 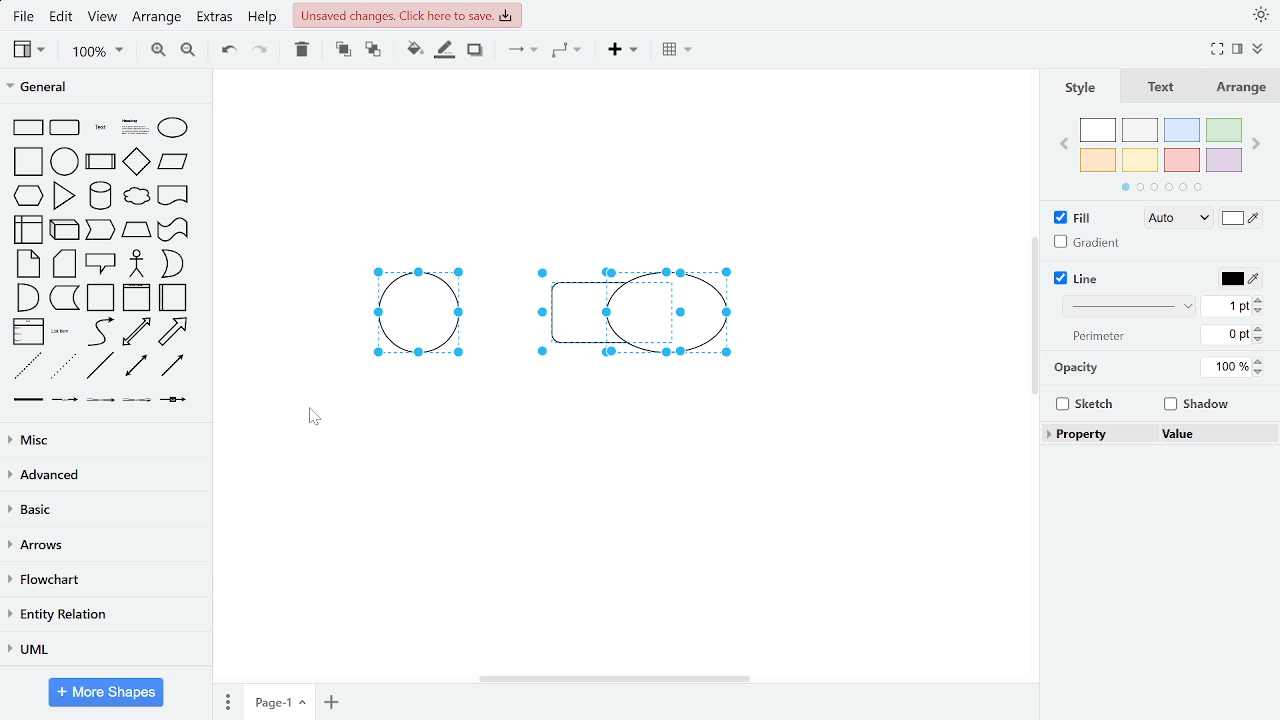 What do you see at coordinates (331, 701) in the screenshot?
I see `insert page` at bounding box center [331, 701].